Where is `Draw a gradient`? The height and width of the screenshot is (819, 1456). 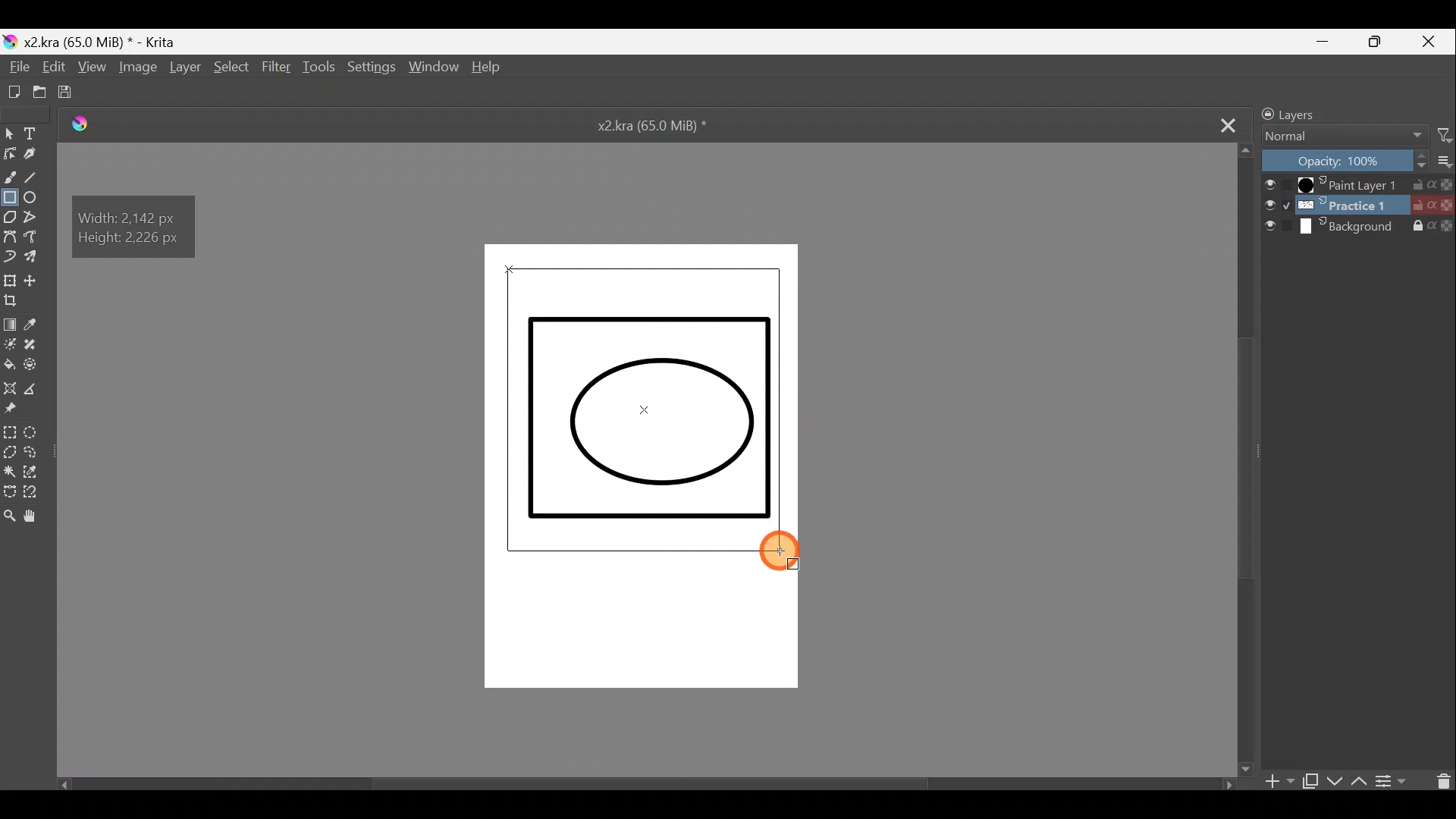
Draw a gradient is located at coordinates (10, 322).